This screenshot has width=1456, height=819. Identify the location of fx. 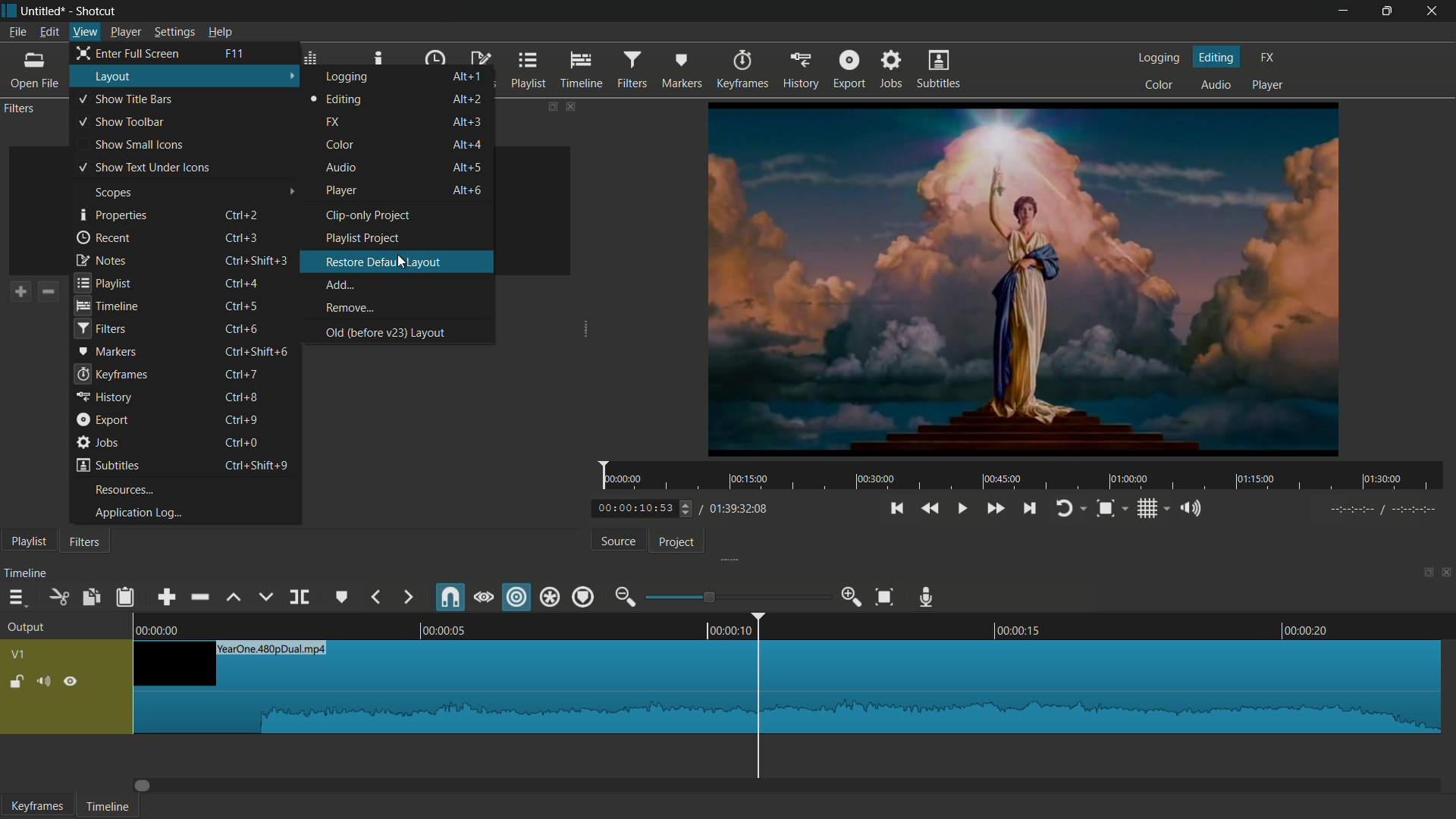
(333, 122).